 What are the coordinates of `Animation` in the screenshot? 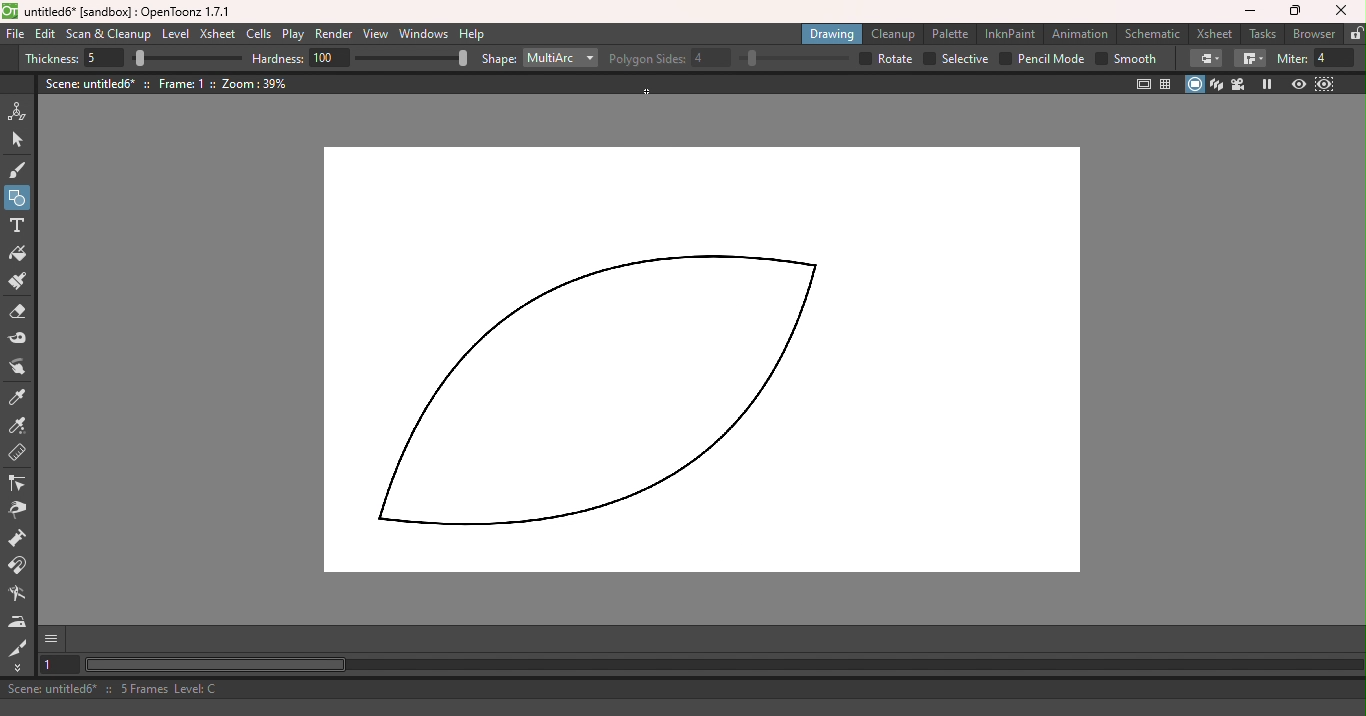 It's located at (1080, 32).